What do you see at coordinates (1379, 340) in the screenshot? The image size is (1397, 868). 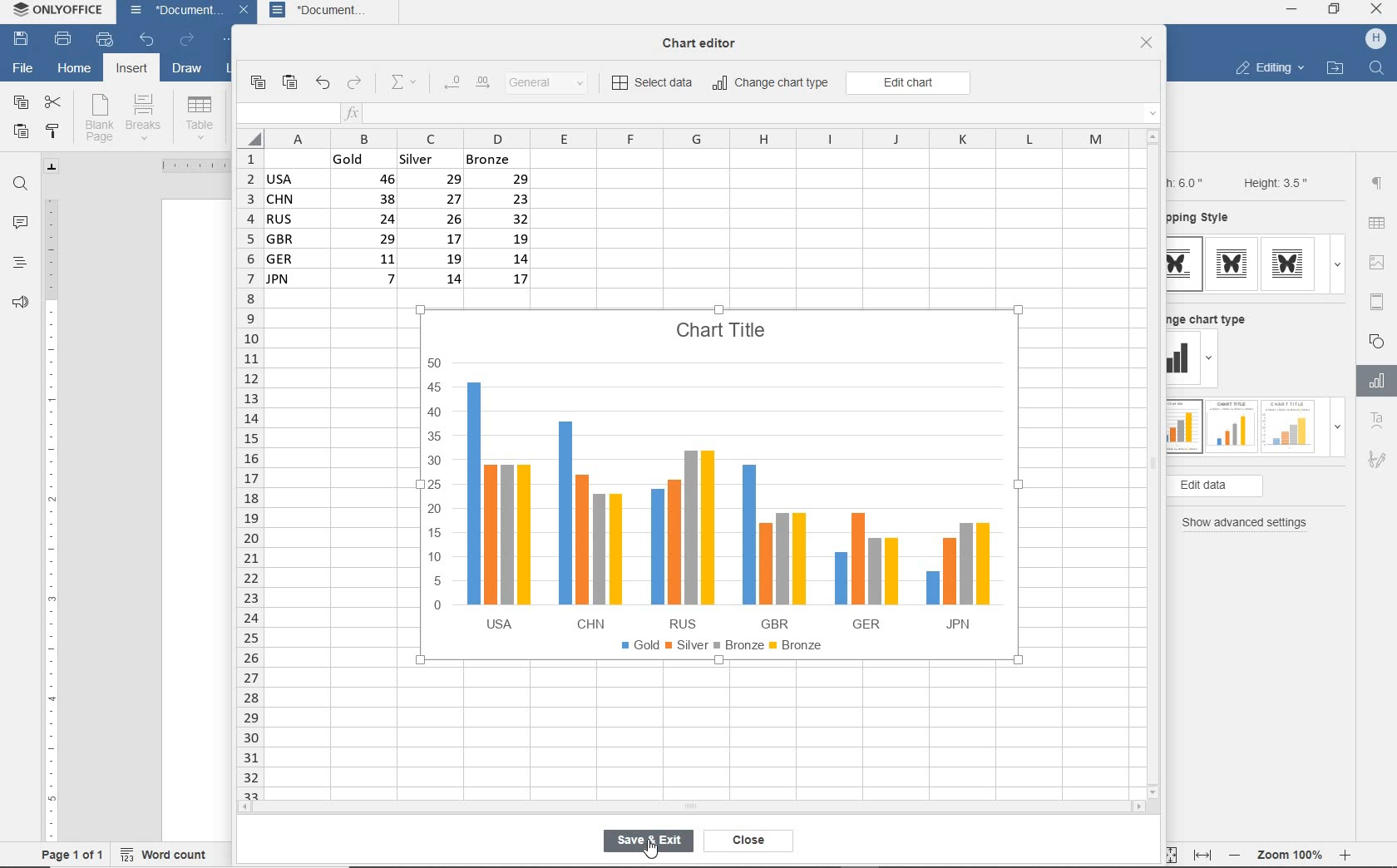 I see `shape` at bounding box center [1379, 340].